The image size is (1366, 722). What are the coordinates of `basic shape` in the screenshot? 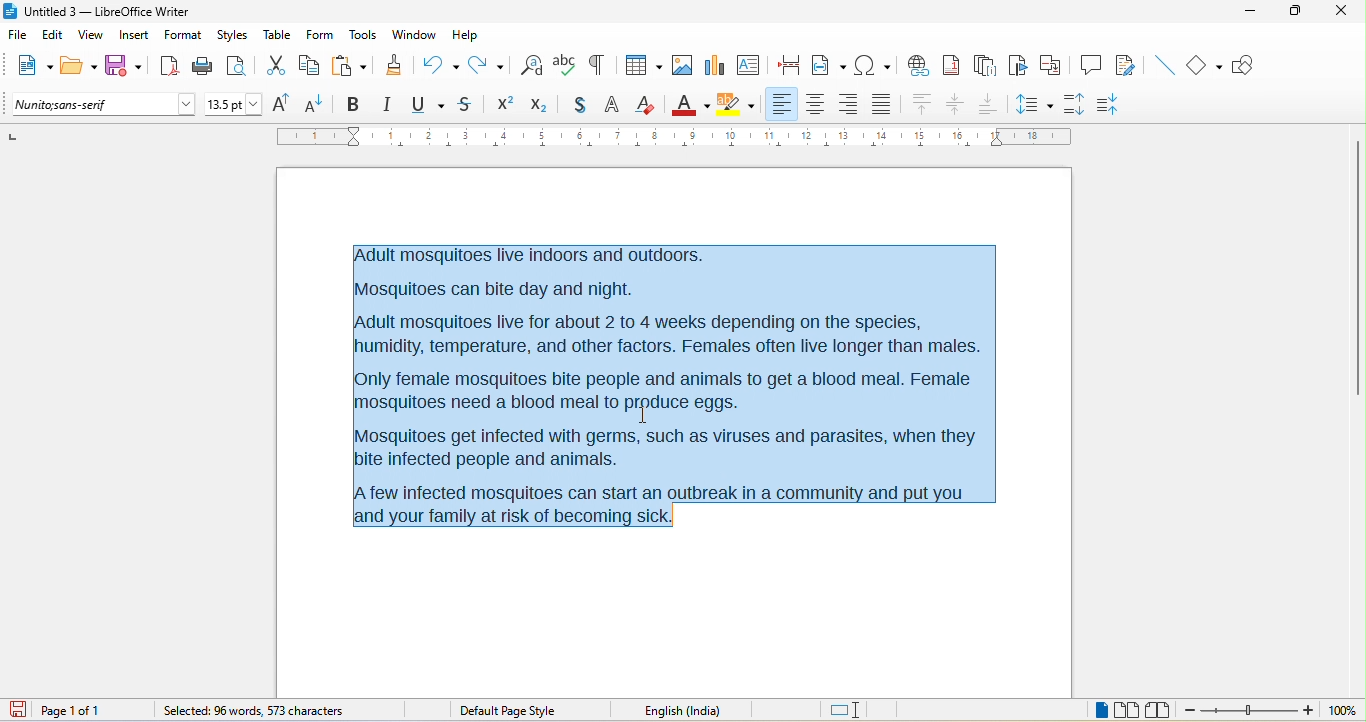 It's located at (1207, 66).